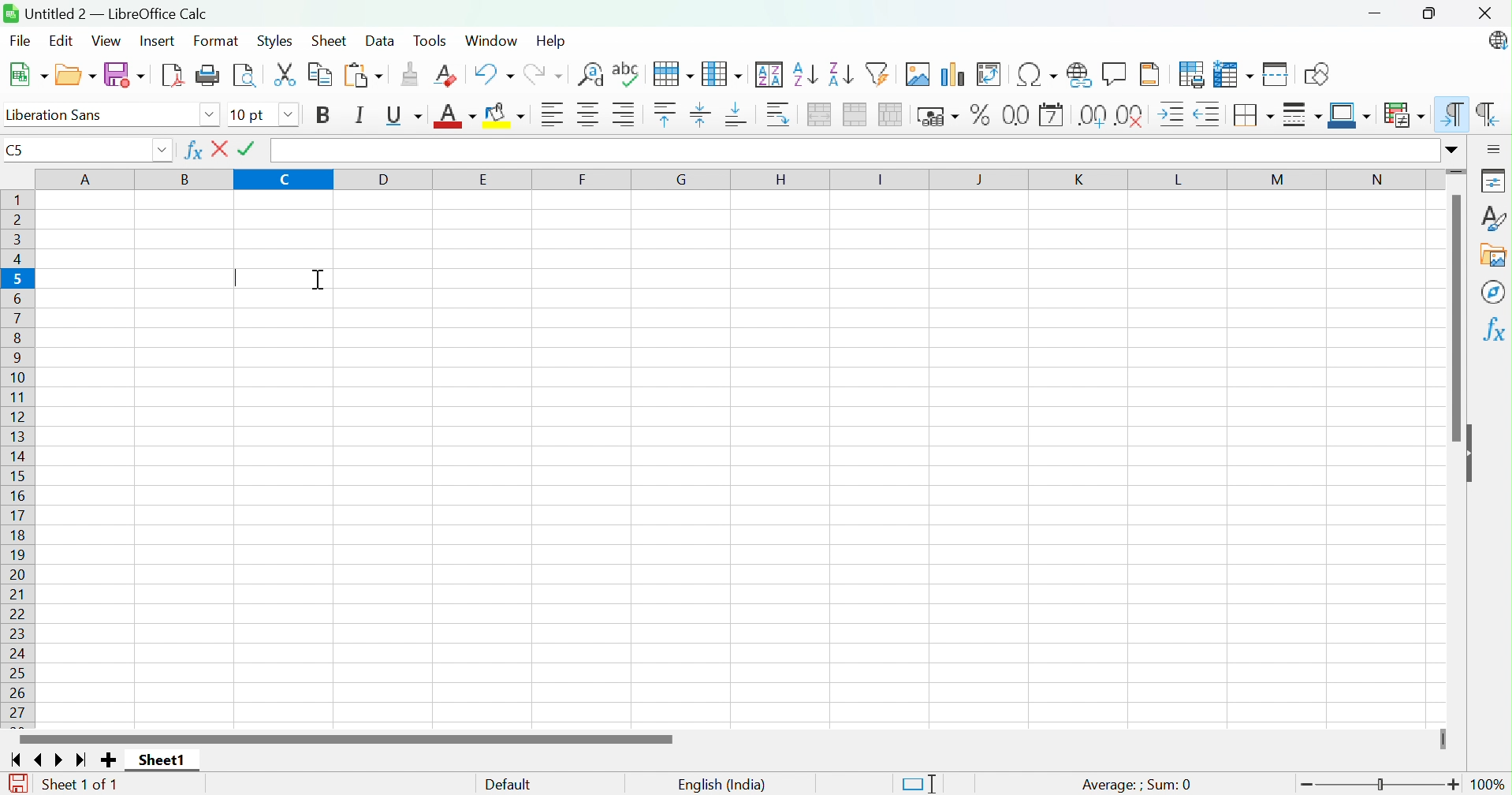 Image resolution: width=1512 pixels, height=795 pixels. What do you see at coordinates (665, 115) in the screenshot?
I see `Align top` at bounding box center [665, 115].